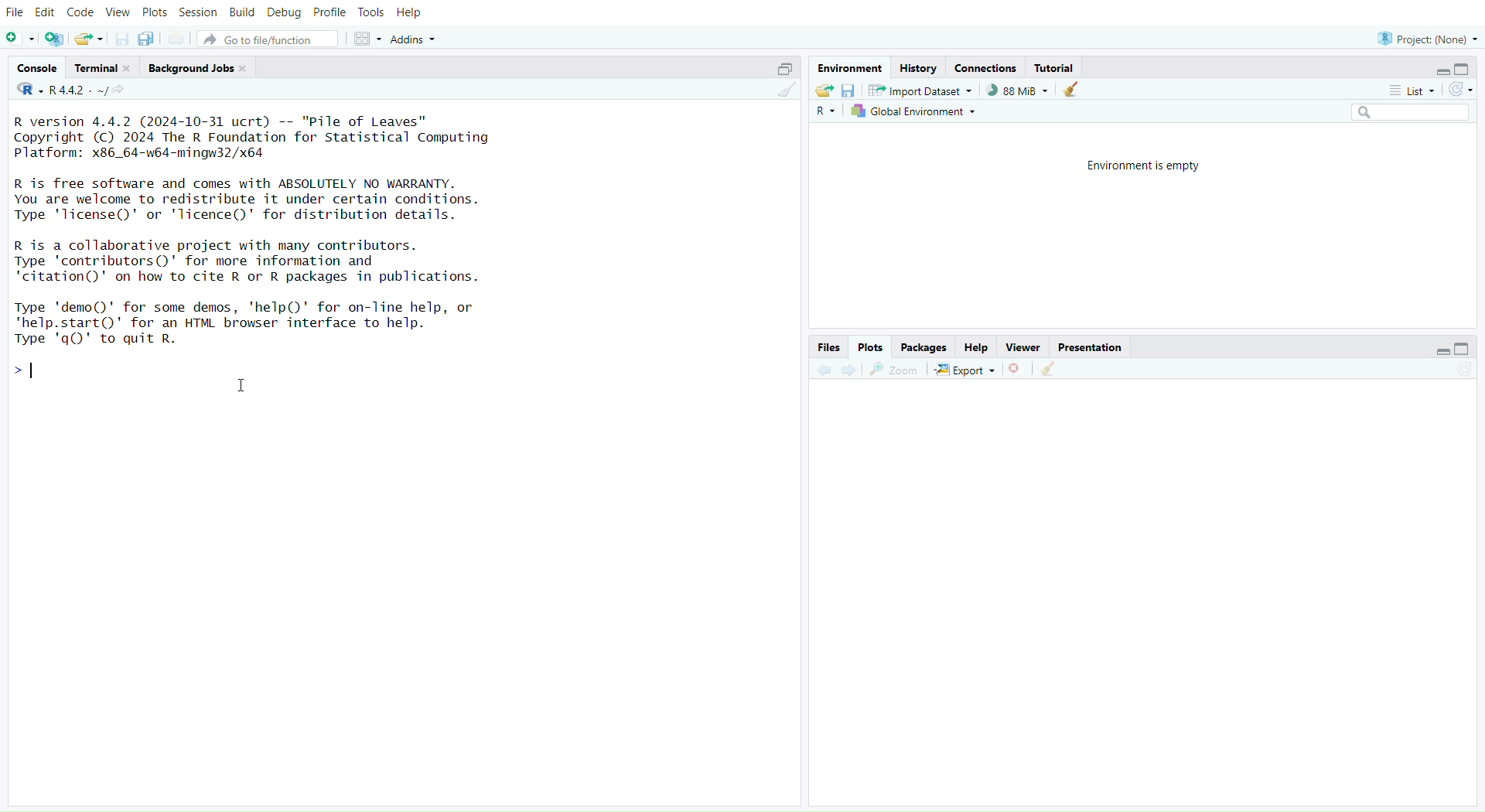 The width and height of the screenshot is (1485, 812). Describe the element at coordinates (370, 12) in the screenshot. I see `tools` at that location.